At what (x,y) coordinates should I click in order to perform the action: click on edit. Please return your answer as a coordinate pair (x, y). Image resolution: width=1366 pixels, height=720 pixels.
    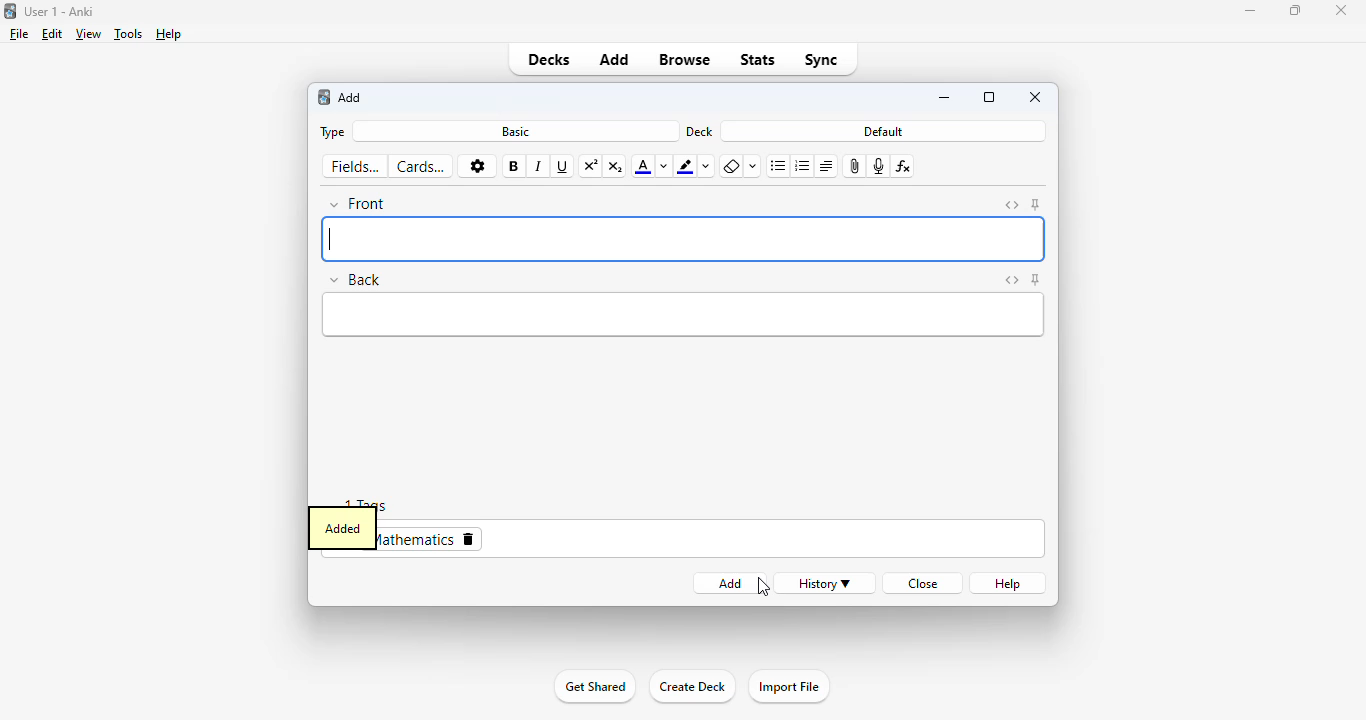
    Looking at the image, I should click on (52, 34).